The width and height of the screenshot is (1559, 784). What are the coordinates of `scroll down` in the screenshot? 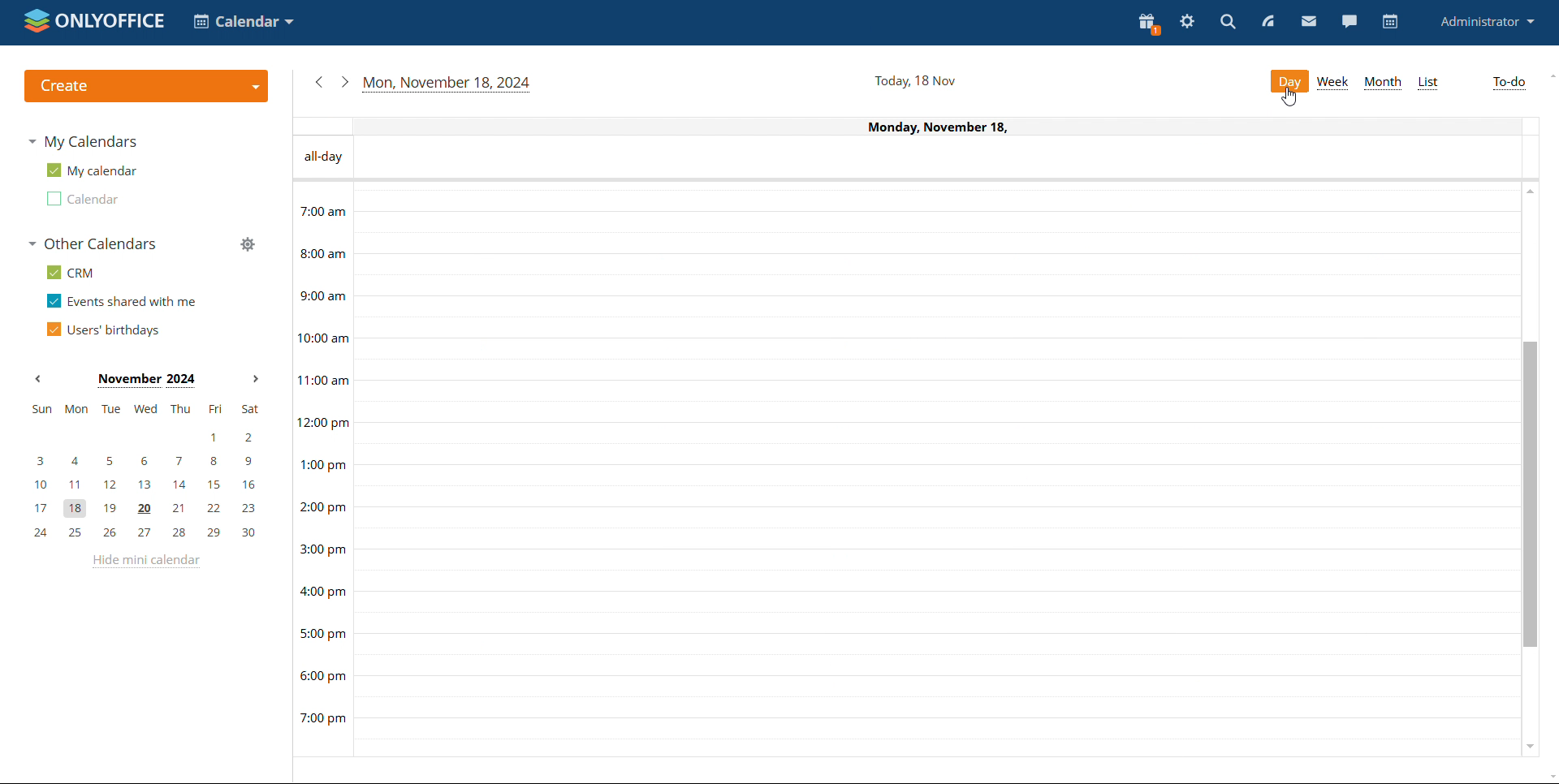 It's located at (1529, 748).